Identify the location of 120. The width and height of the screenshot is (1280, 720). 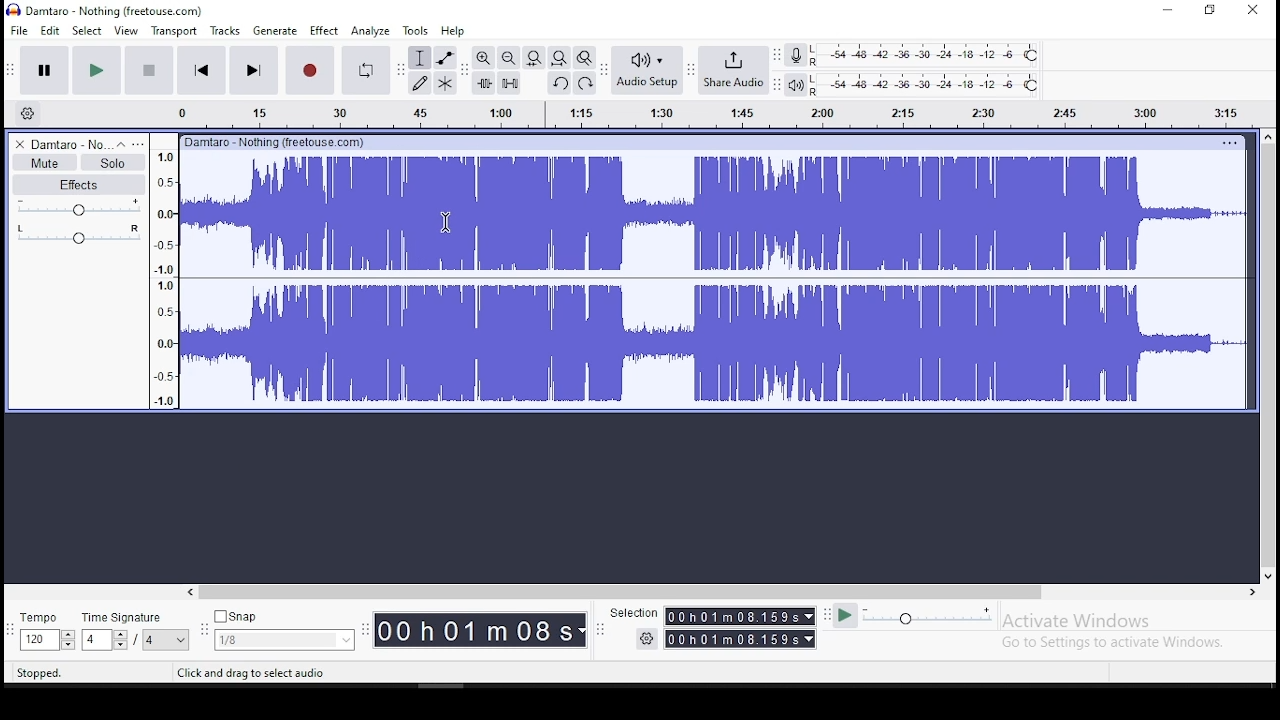
(37, 640).